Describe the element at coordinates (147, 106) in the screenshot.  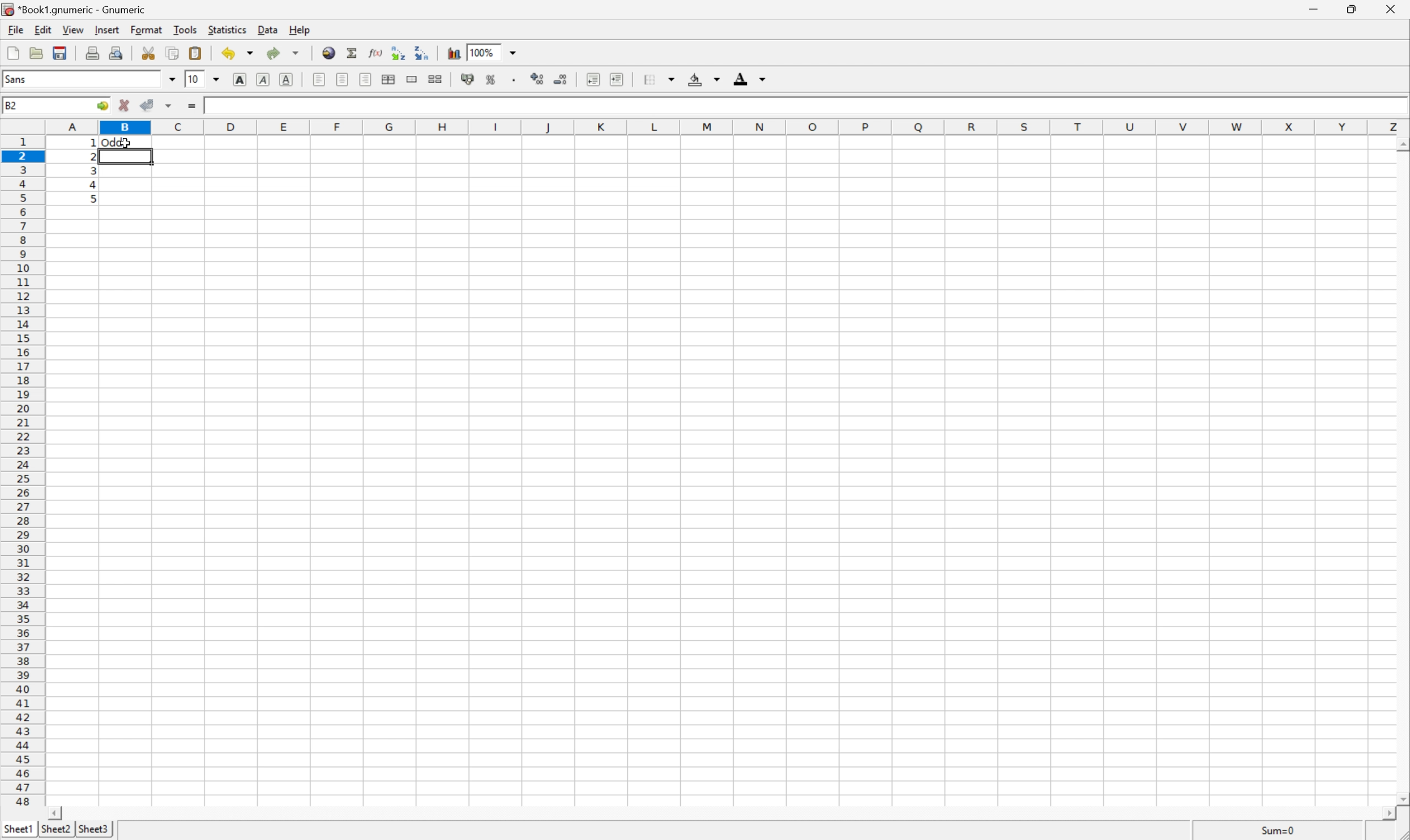
I see `Accept changes` at that location.